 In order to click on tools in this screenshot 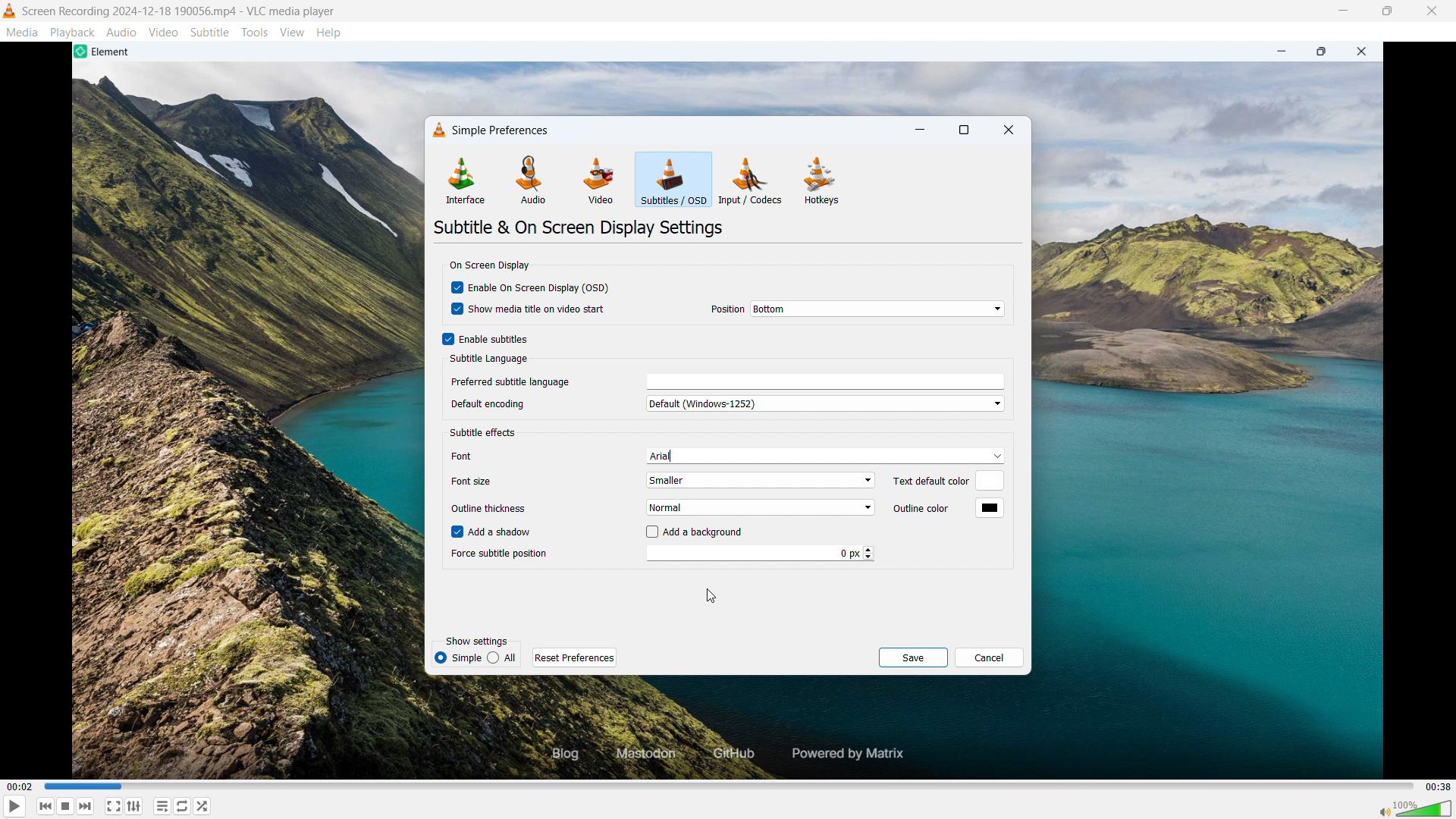, I will do `click(255, 33)`.